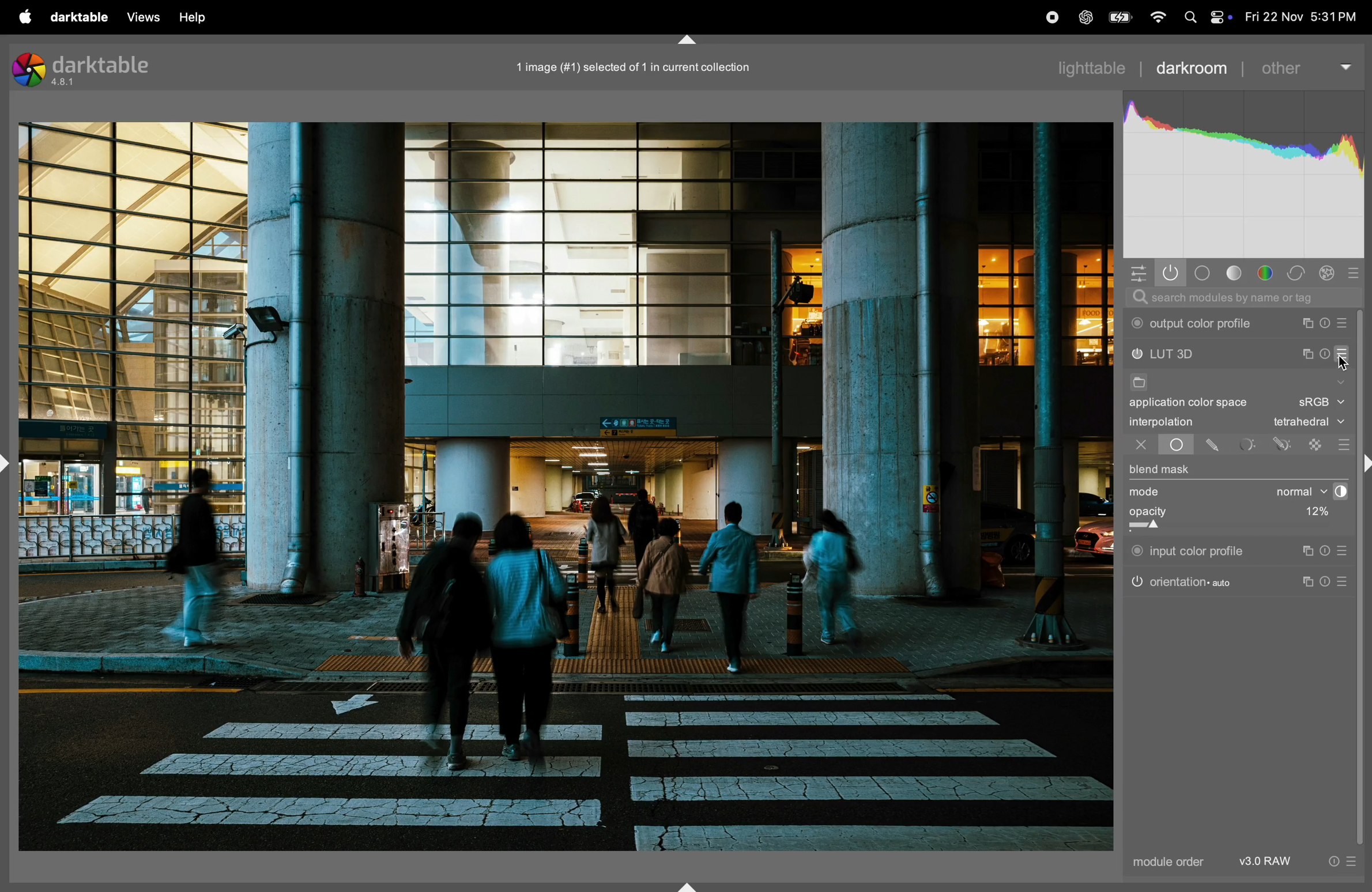  I want to click on scroll bar, so click(1364, 578).